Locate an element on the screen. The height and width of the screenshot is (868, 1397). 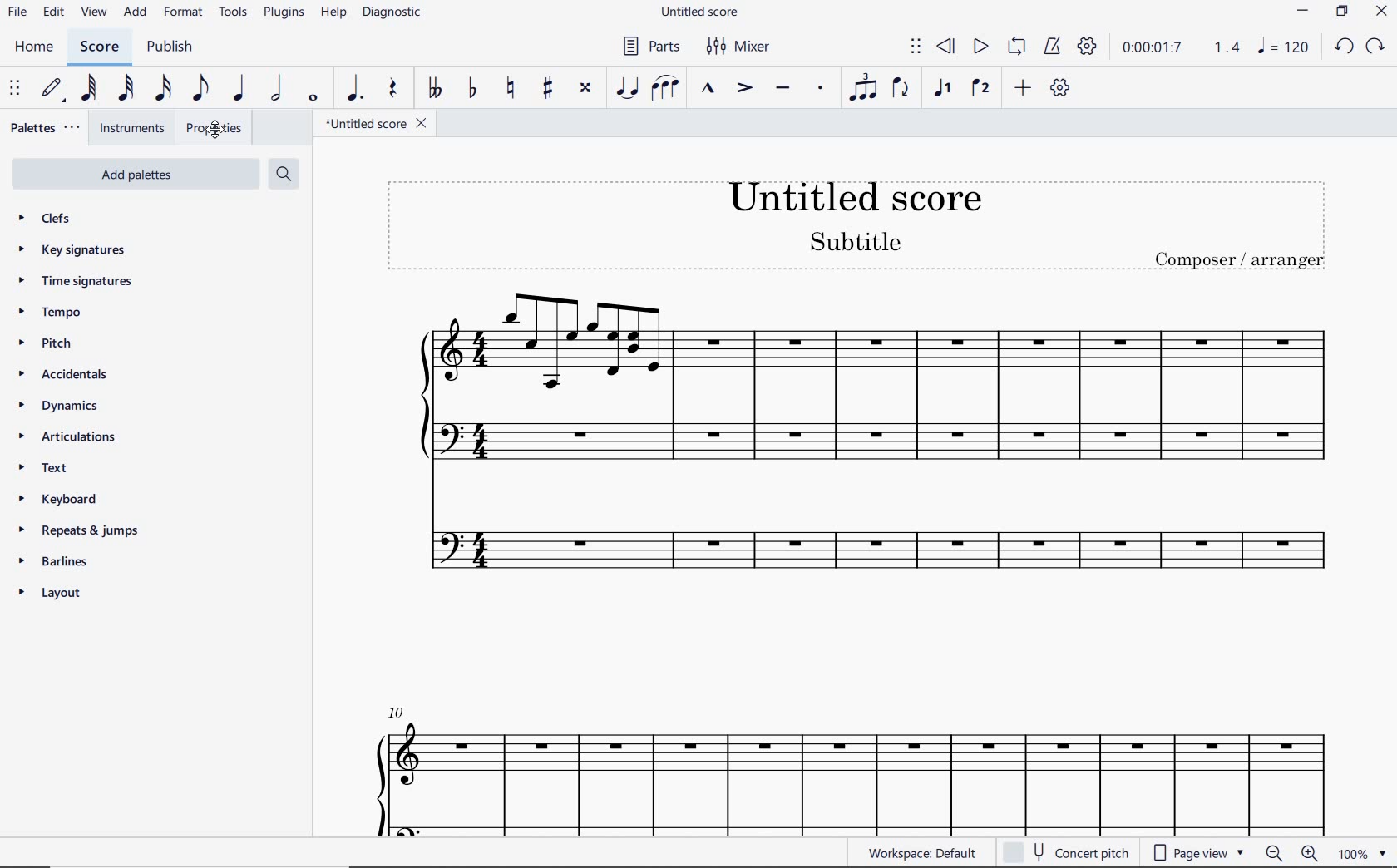
EIGHTH NOTE is located at coordinates (202, 89).